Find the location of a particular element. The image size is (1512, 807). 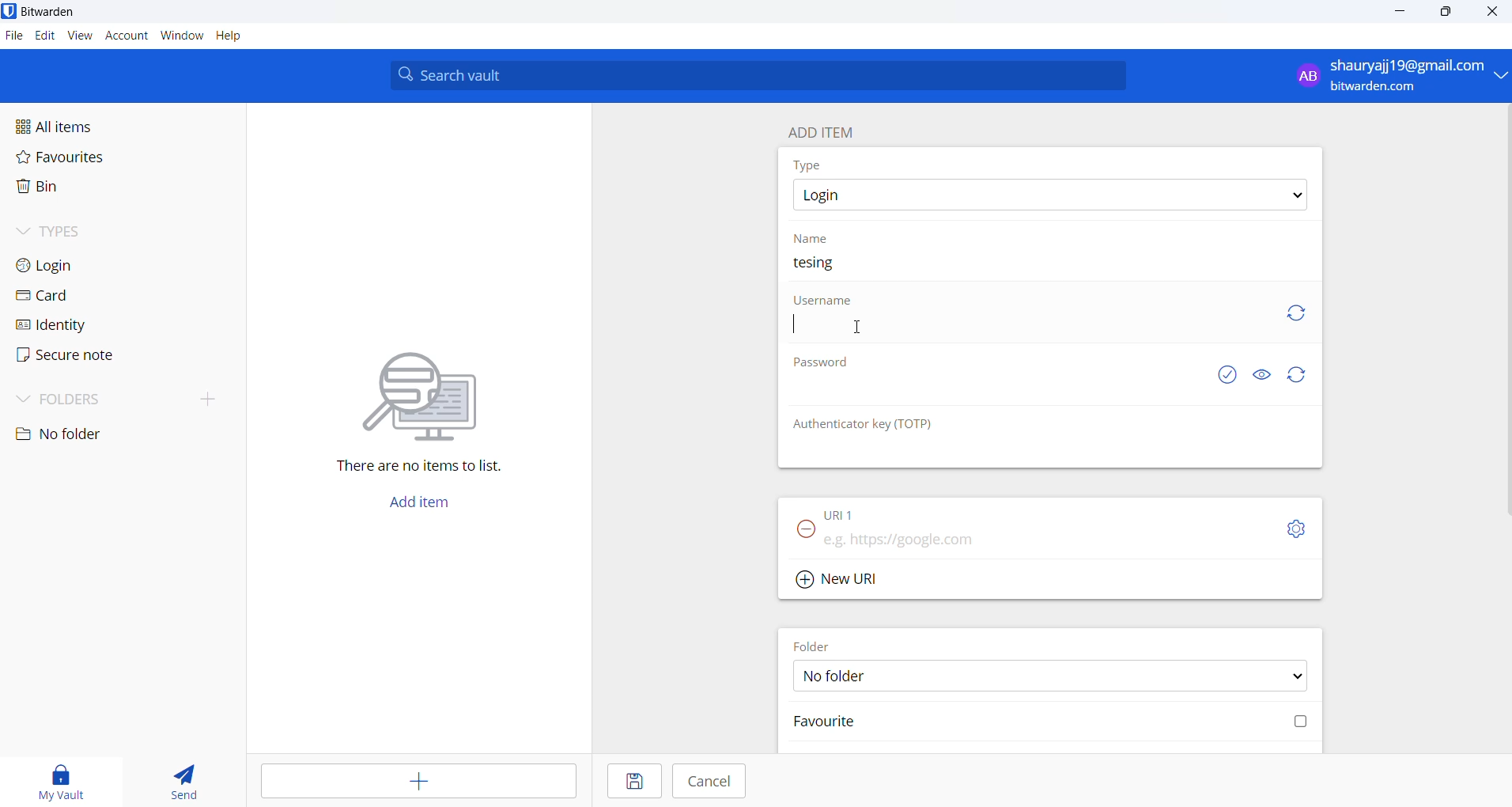

Refresh is located at coordinates (1305, 375).